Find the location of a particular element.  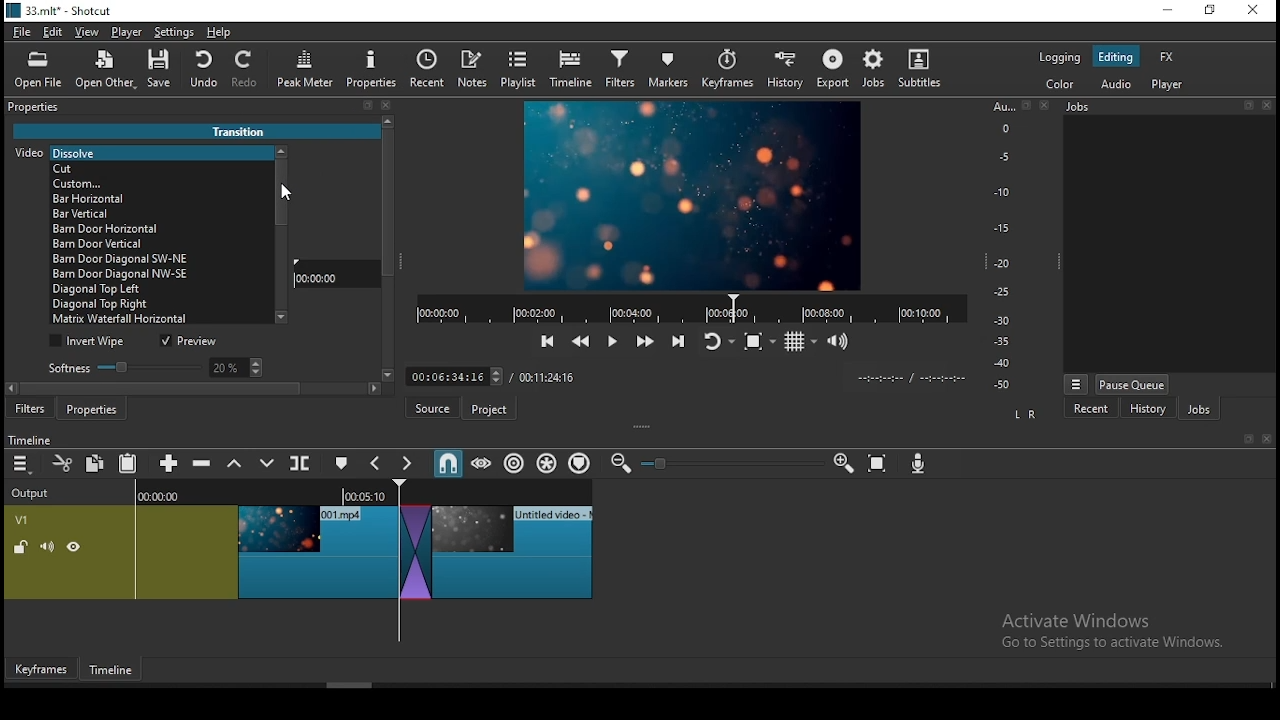

transition option is located at coordinates (161, 274).